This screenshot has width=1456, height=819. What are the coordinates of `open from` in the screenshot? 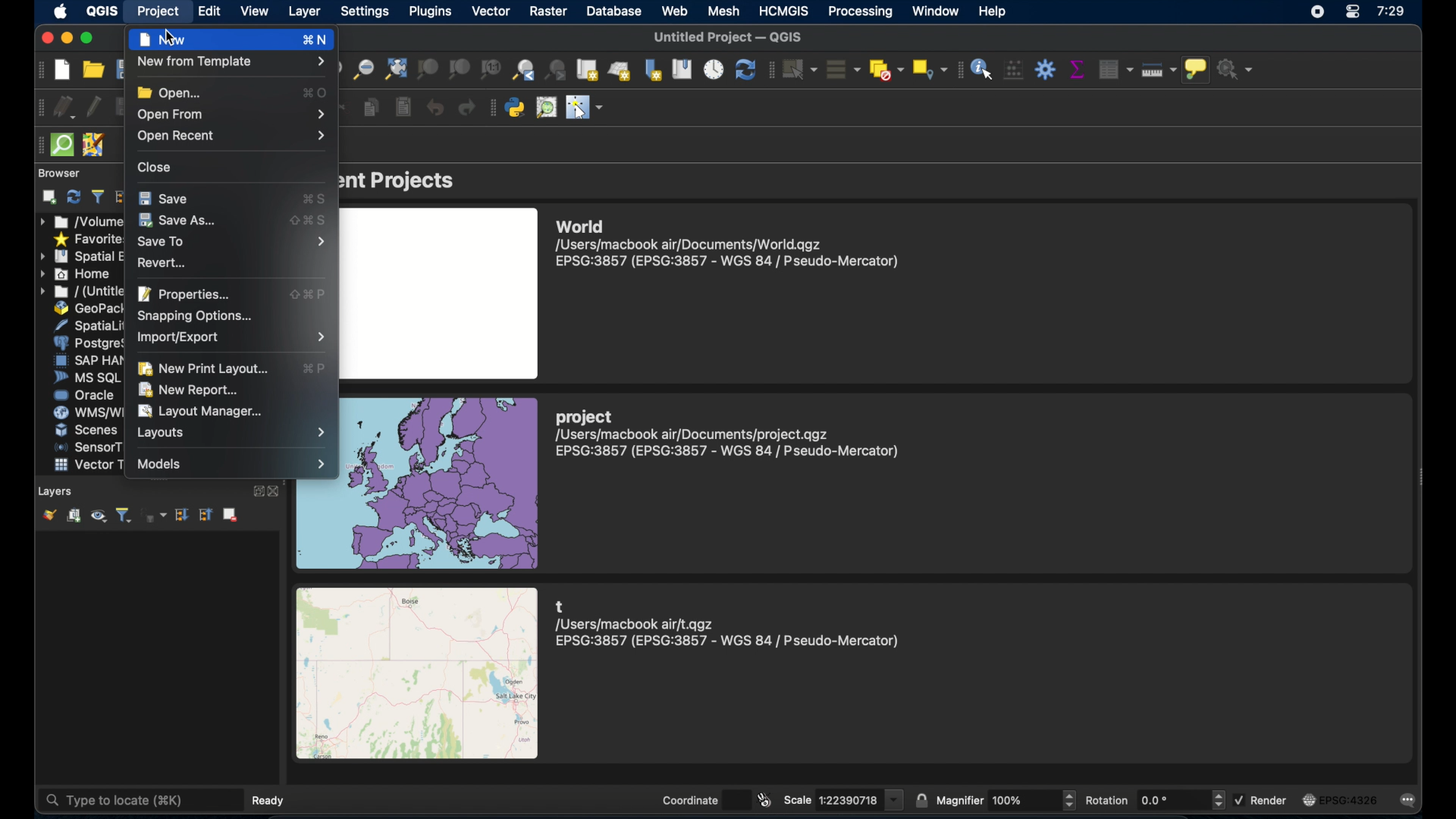 It's located at (231, 115).